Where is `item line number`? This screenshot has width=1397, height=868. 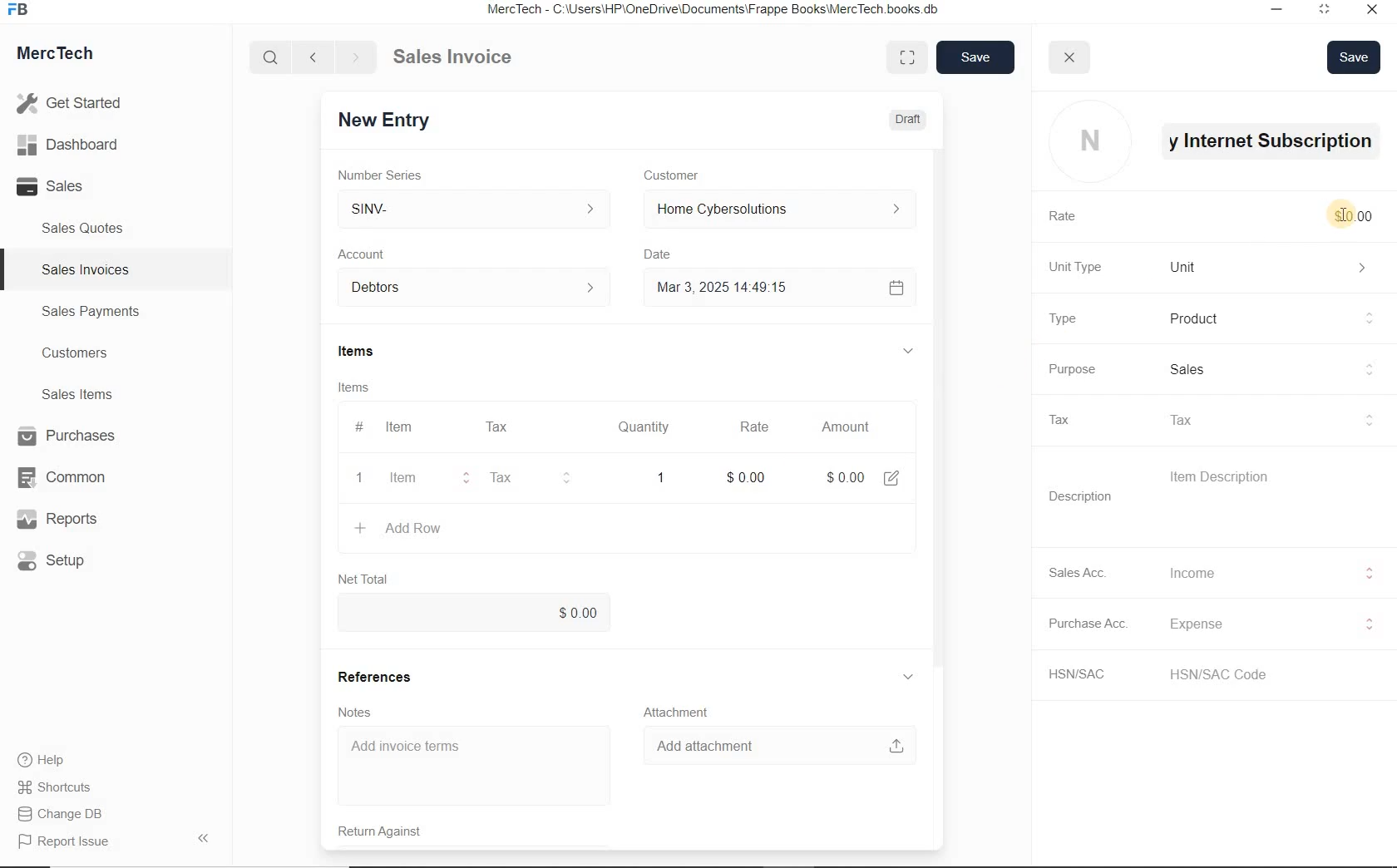 item line number is located at coordinates (361, 455).